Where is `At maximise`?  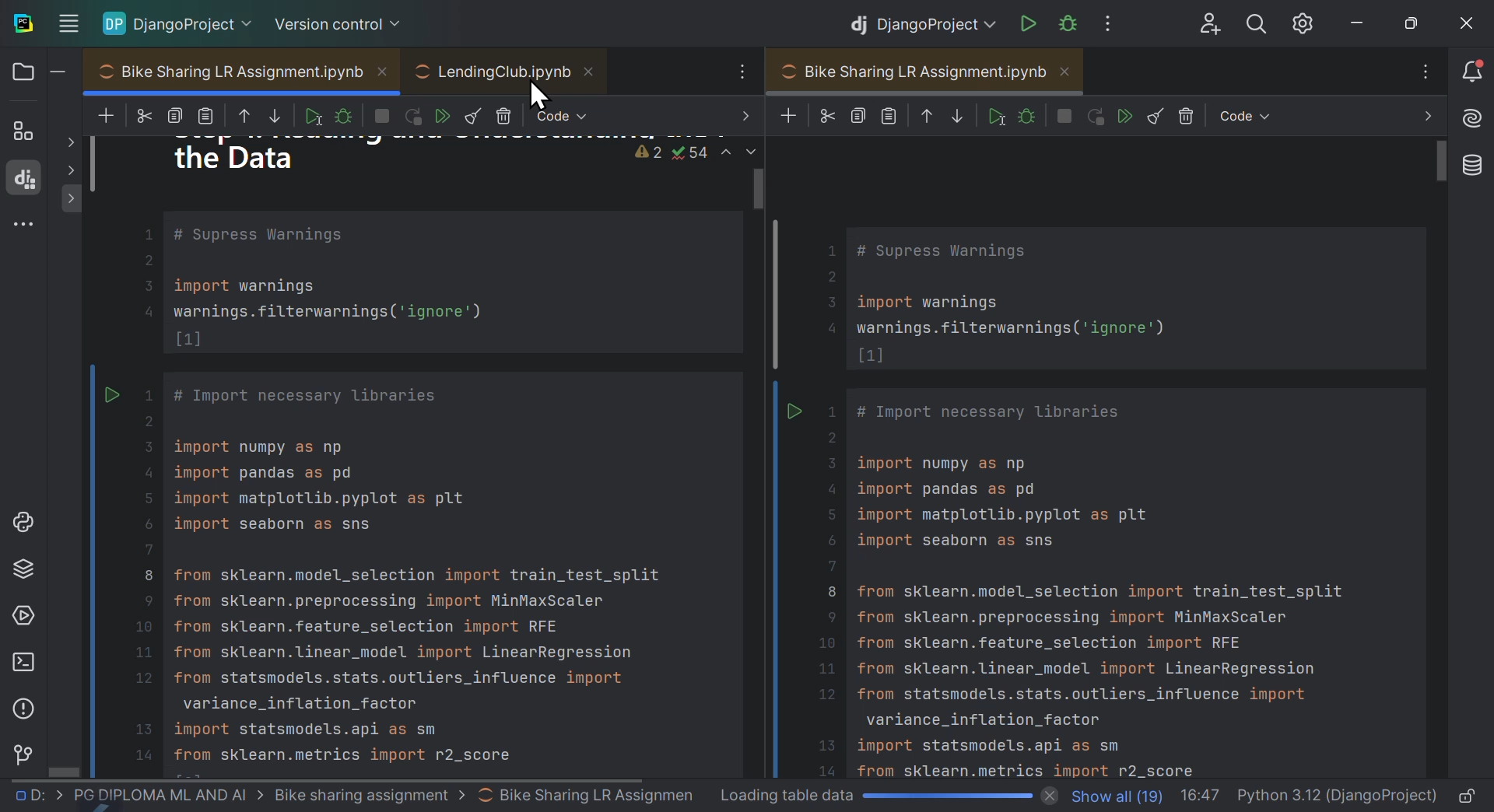
At maximise is located at coordinates (1412, 22).